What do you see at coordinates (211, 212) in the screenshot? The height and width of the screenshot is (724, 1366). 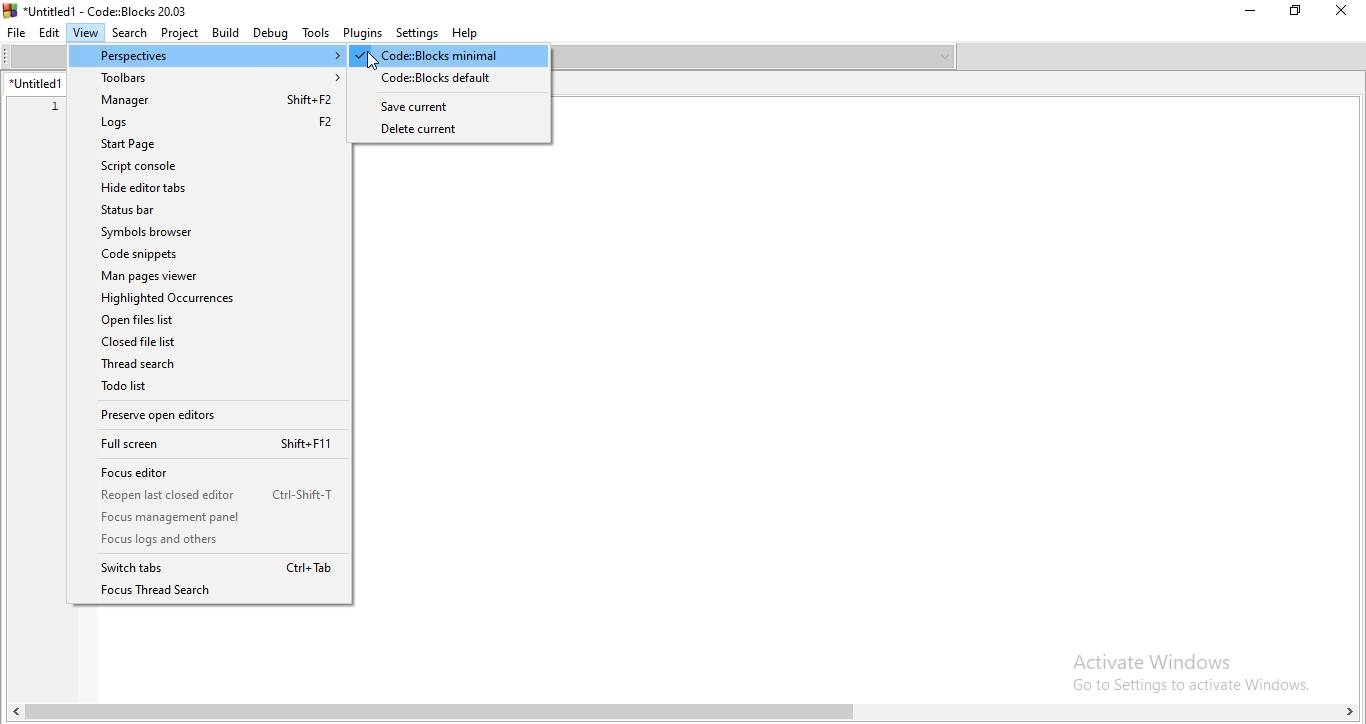 I see `Status bar` at bounding box center [211, 212].